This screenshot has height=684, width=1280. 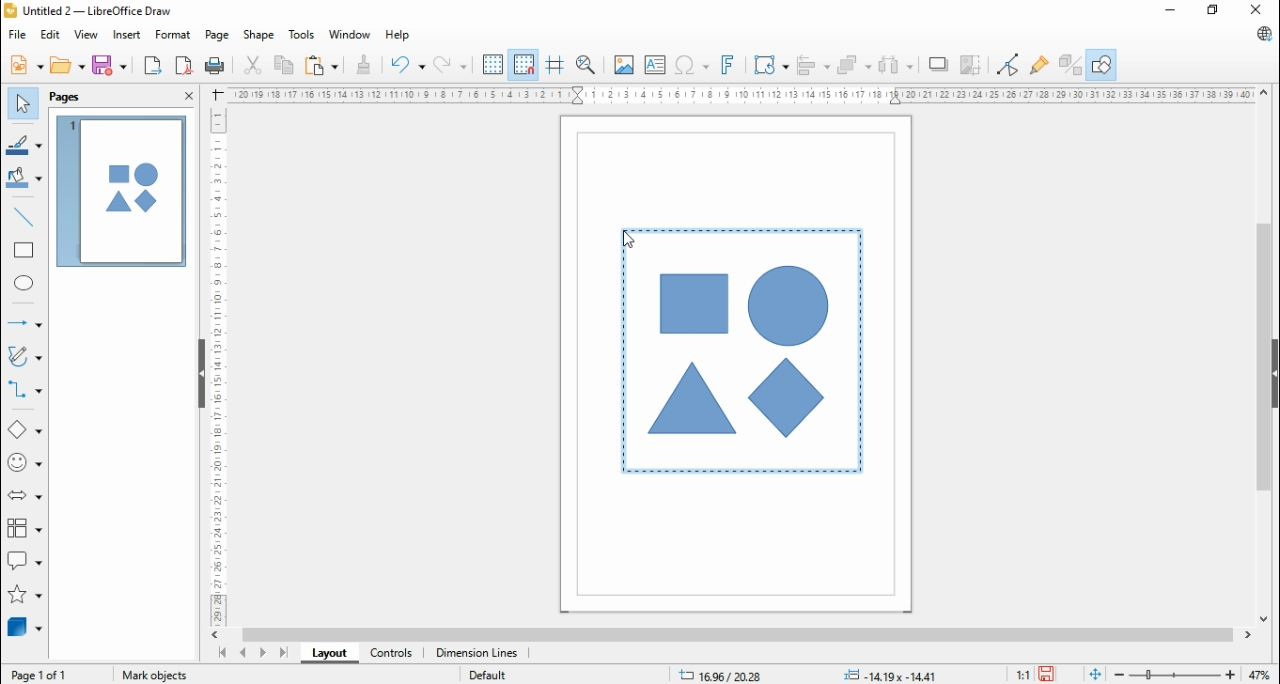 I want to click on cut, so click(x=252, y=65).